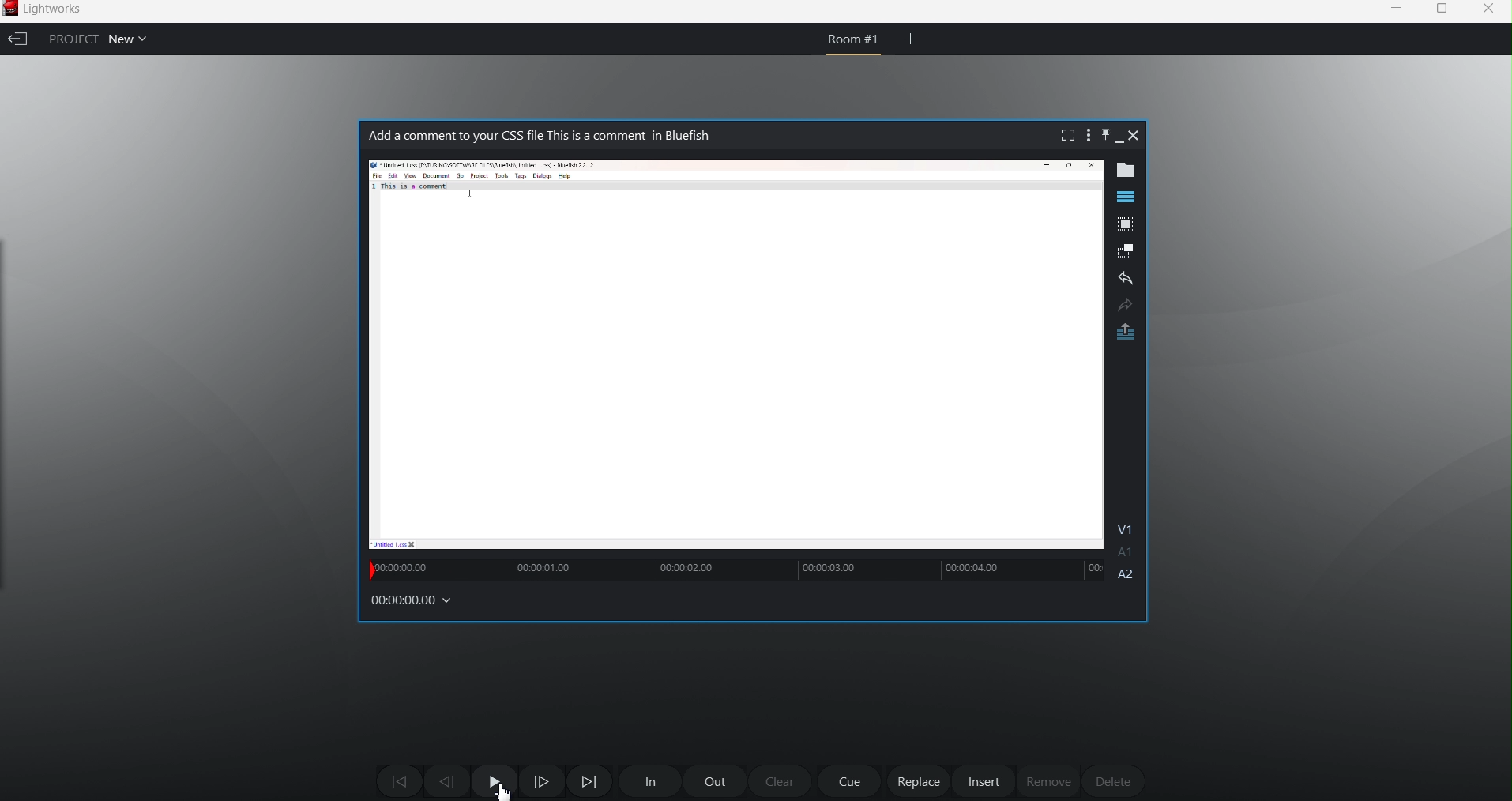  I want to click on clip track, so click(746, 568).